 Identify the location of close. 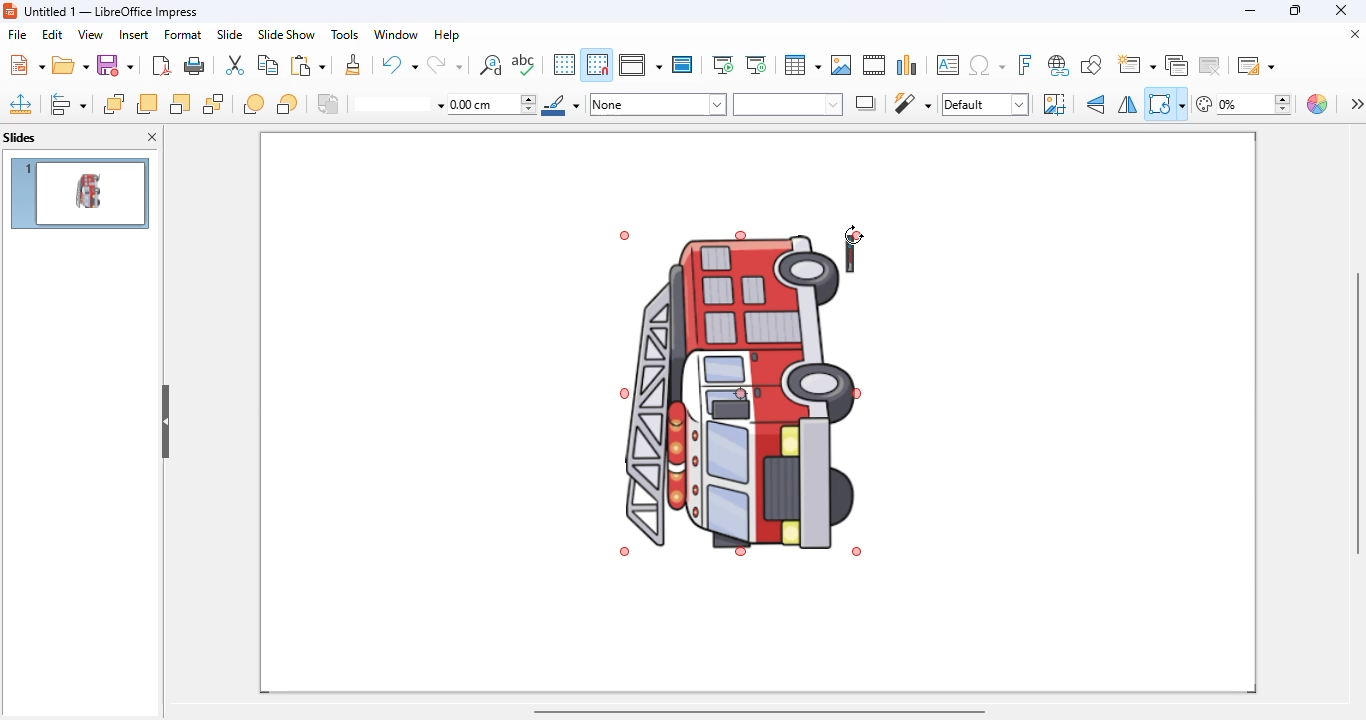
(1340, 10).